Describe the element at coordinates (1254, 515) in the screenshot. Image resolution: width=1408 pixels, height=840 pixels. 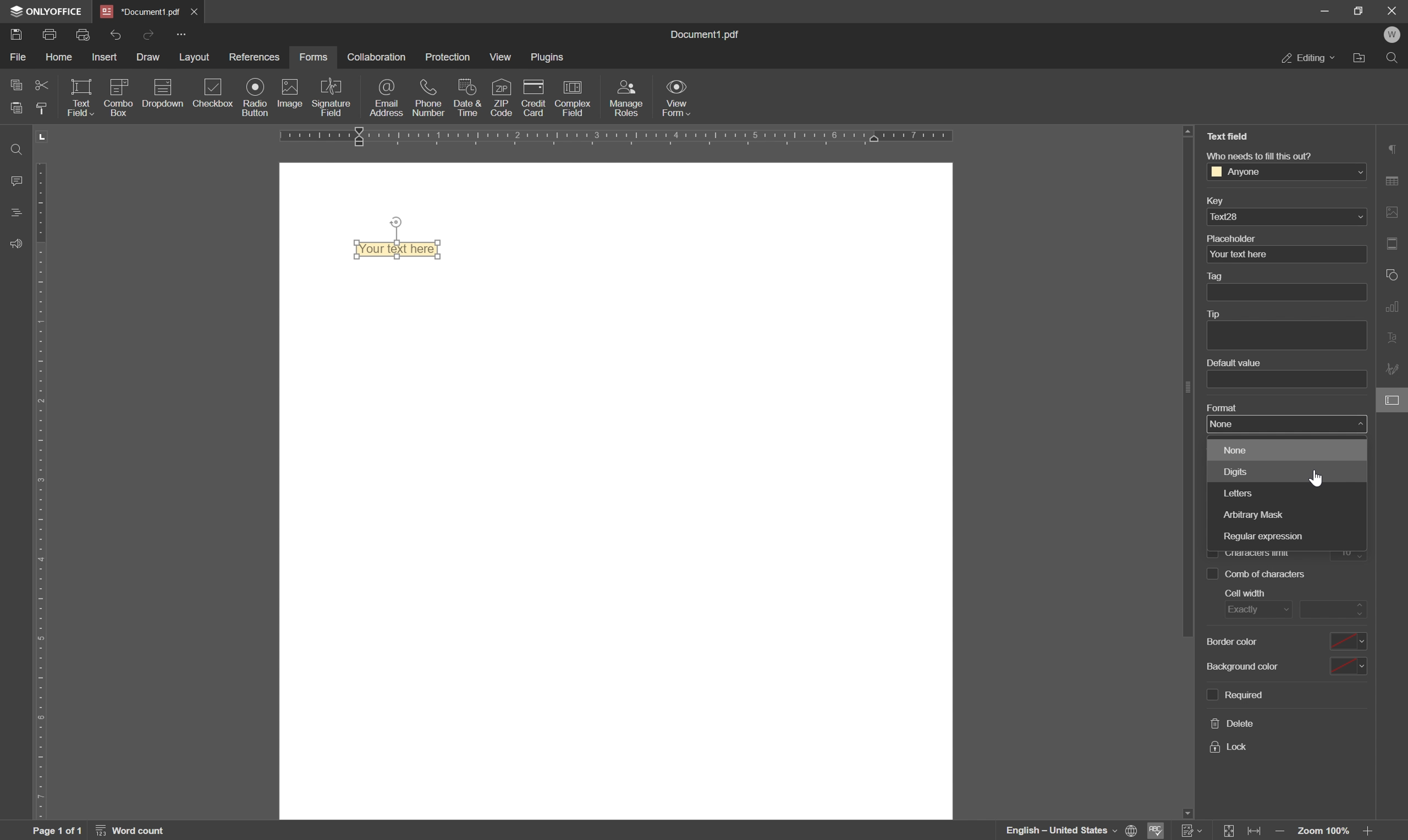
I see `arbitrary mask` at that location.